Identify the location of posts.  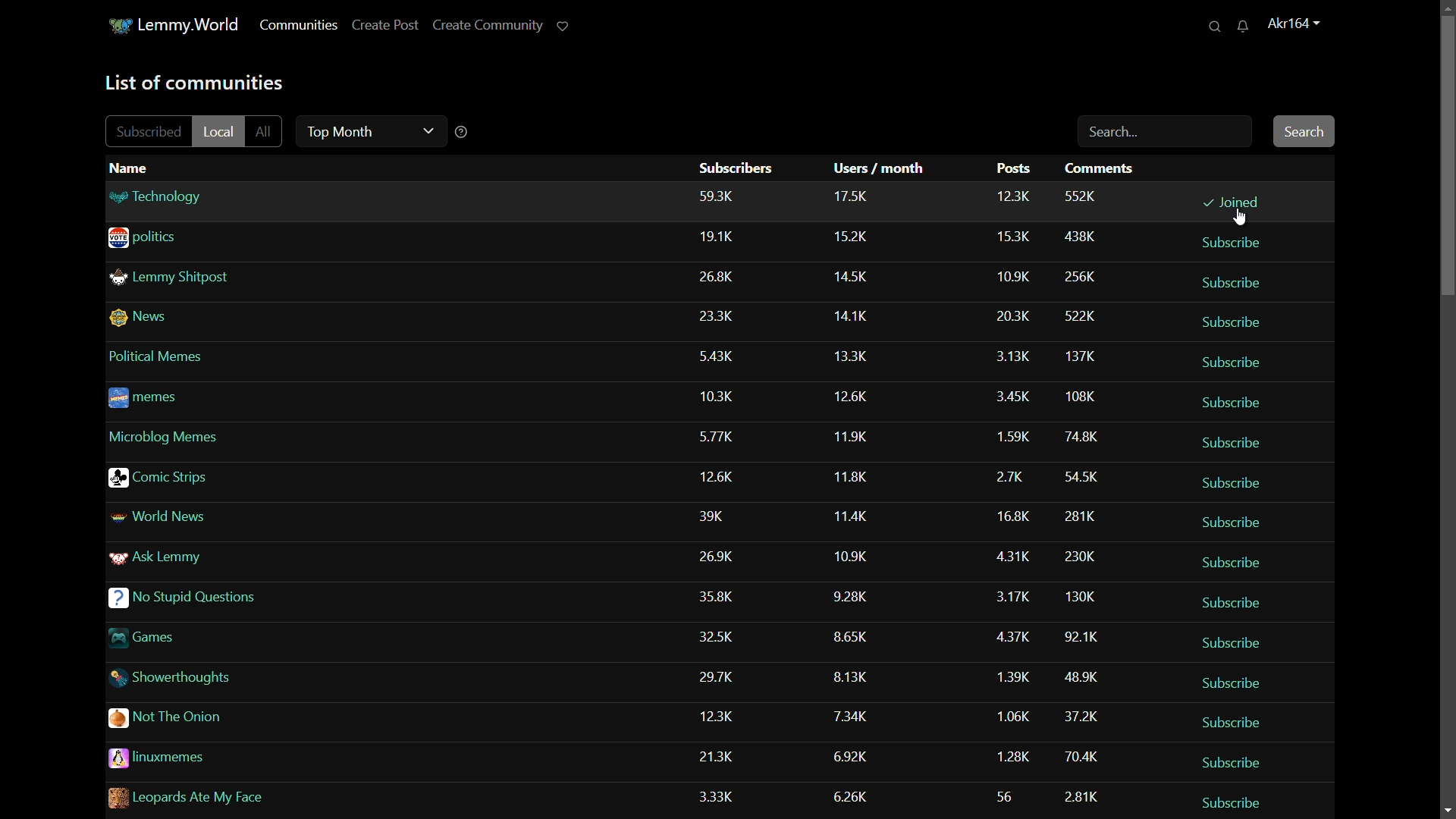
(1007, 391).